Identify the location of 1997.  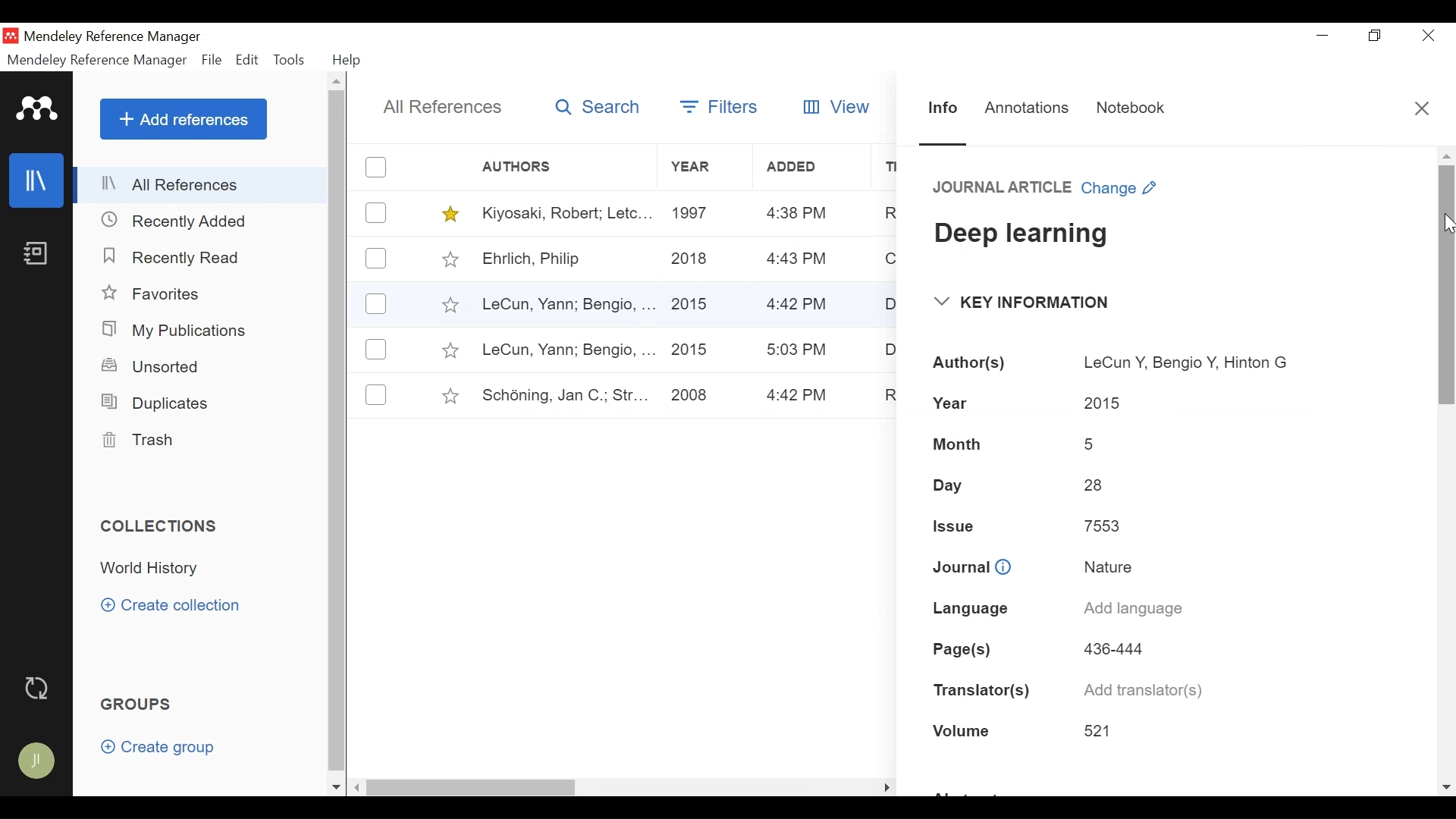
(694, 212).